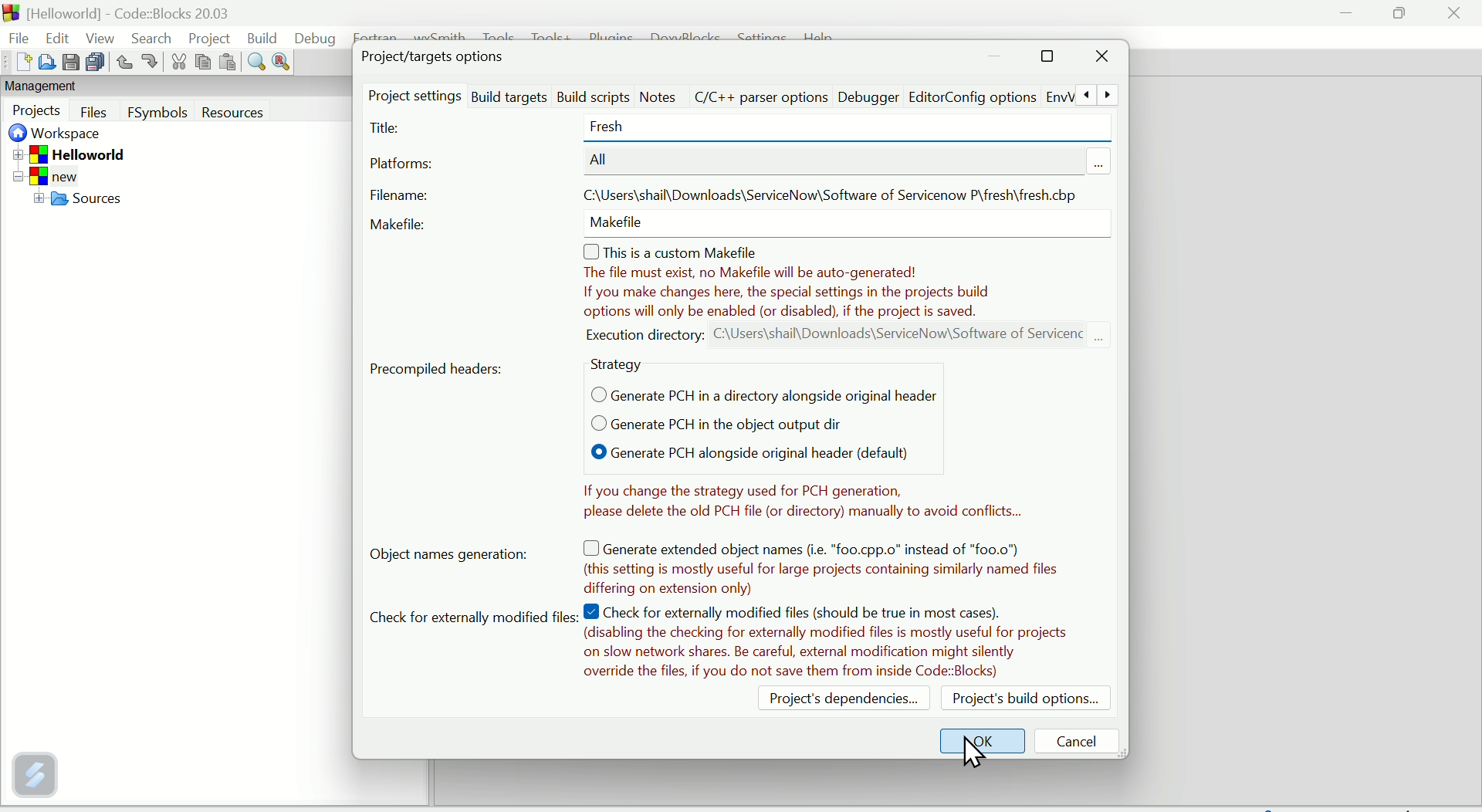 The height and width of the screenshot is (812, 1482). Describe the element at coordinates (387, 129) in the screenshot. I see `Titus` at that location.